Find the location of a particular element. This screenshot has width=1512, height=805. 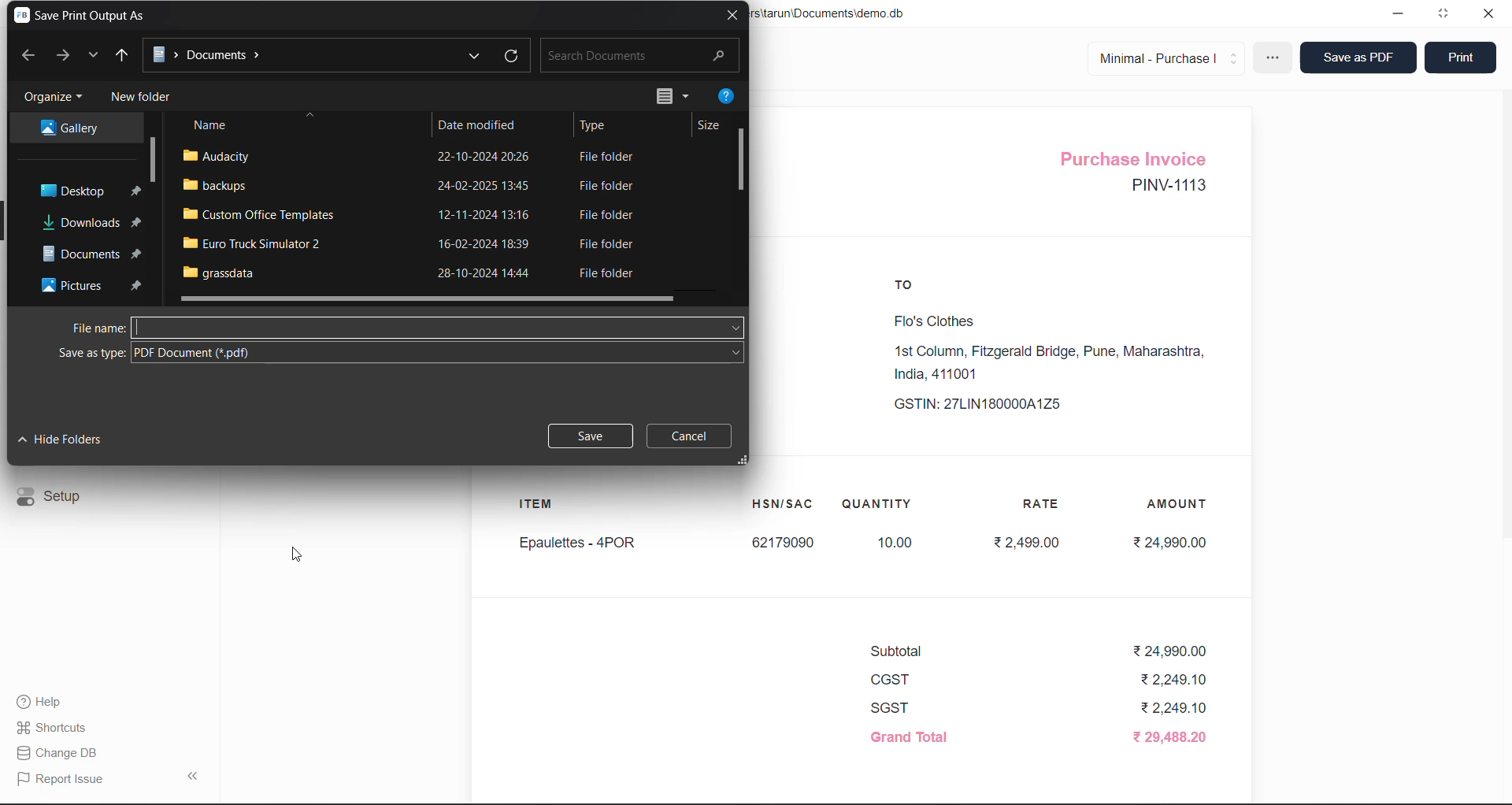

File folder is located at coordinates (609, 158).